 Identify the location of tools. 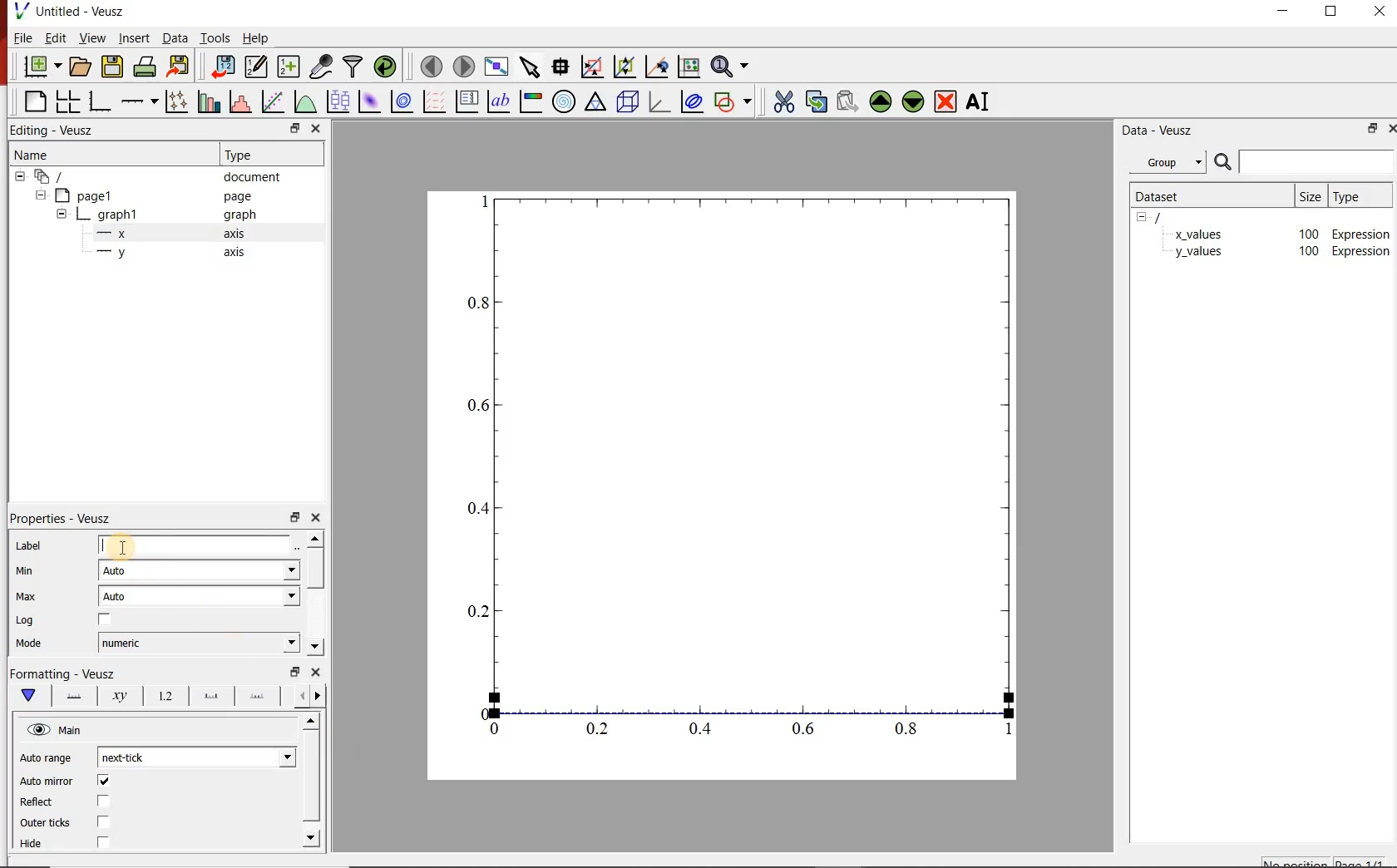
(217, 37).